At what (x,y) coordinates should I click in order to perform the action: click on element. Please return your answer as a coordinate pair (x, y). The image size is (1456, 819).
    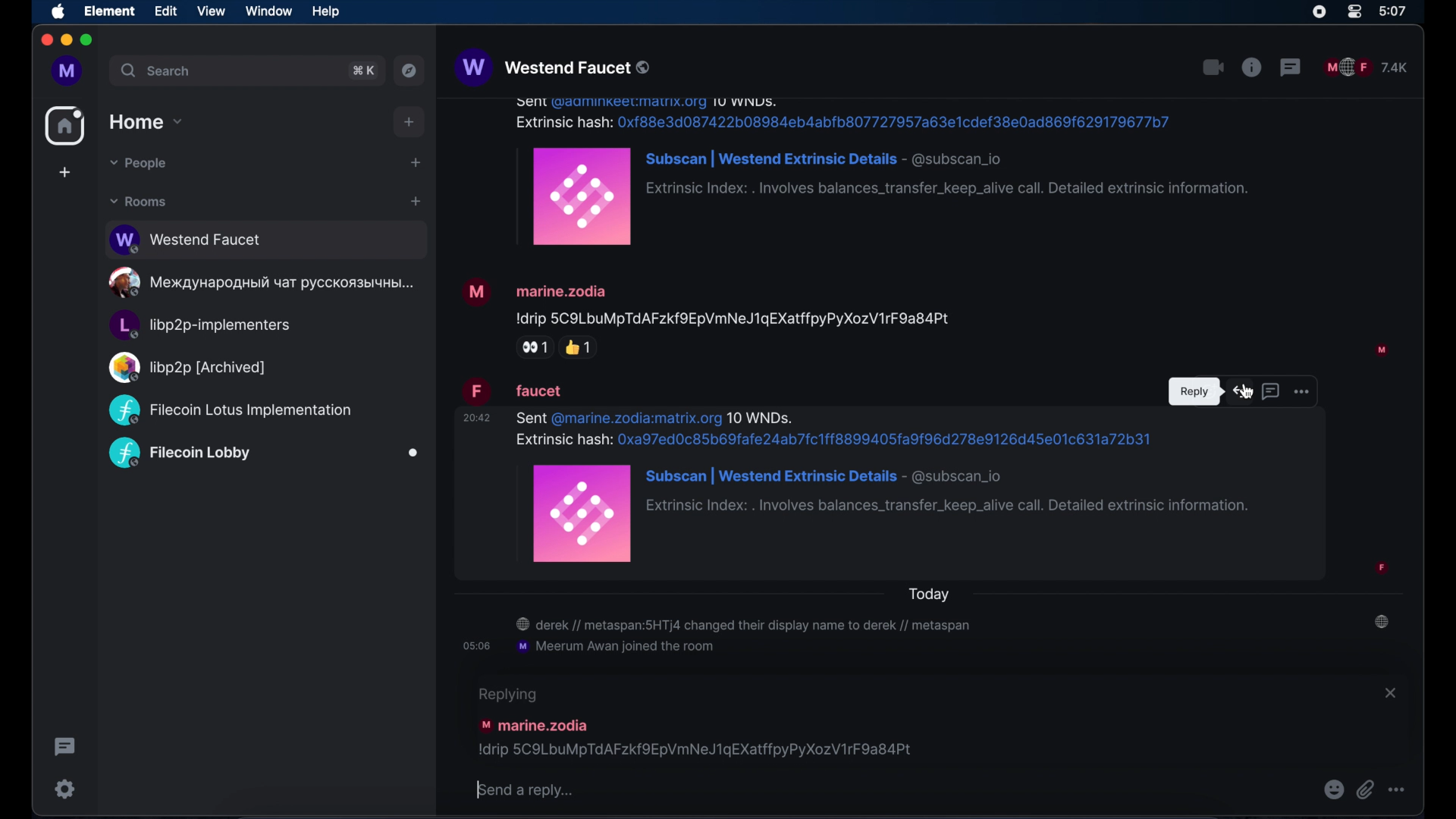
    Looking at the image, I should click on (111, 11).